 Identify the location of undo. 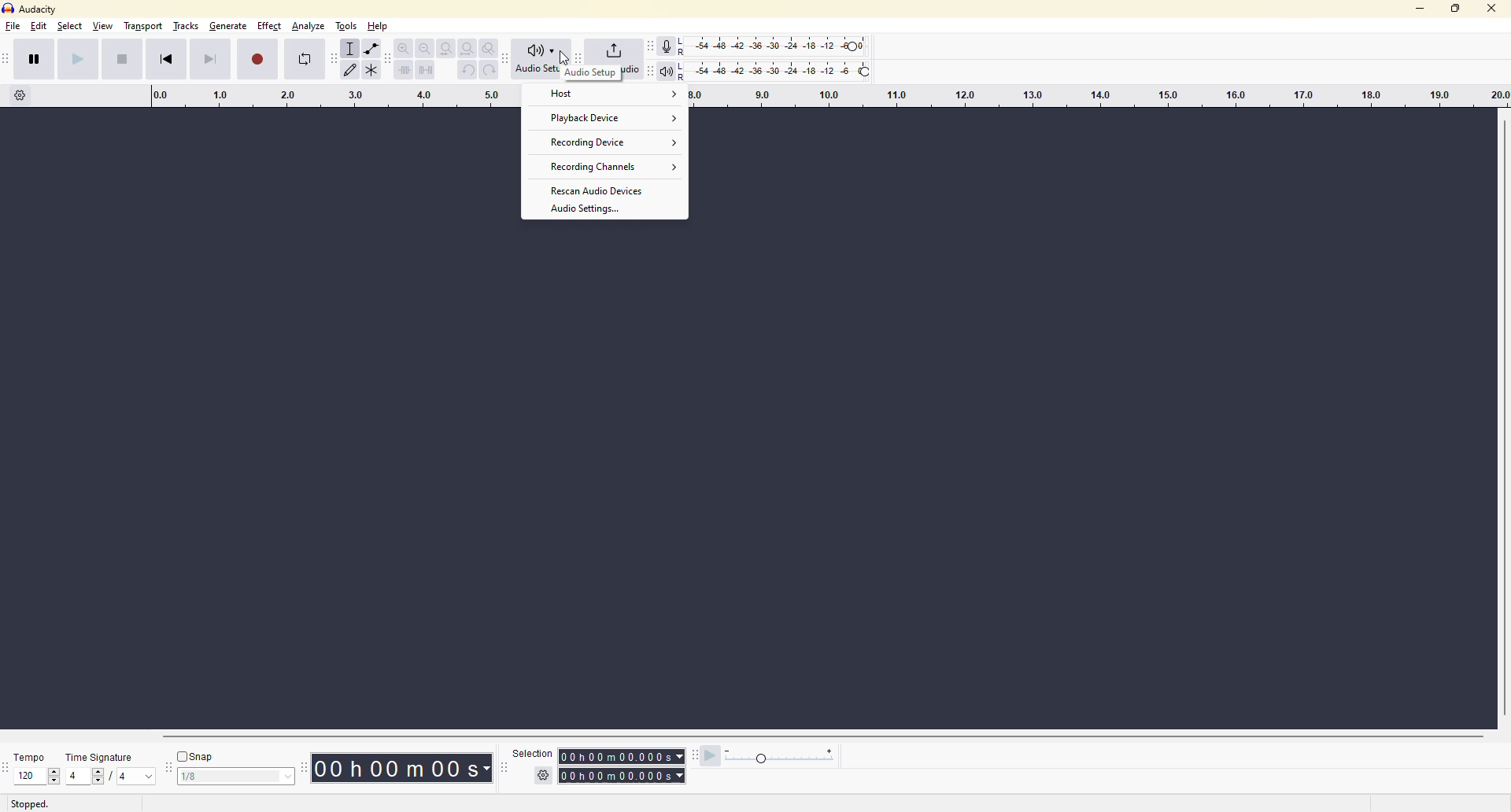
(467, 68).